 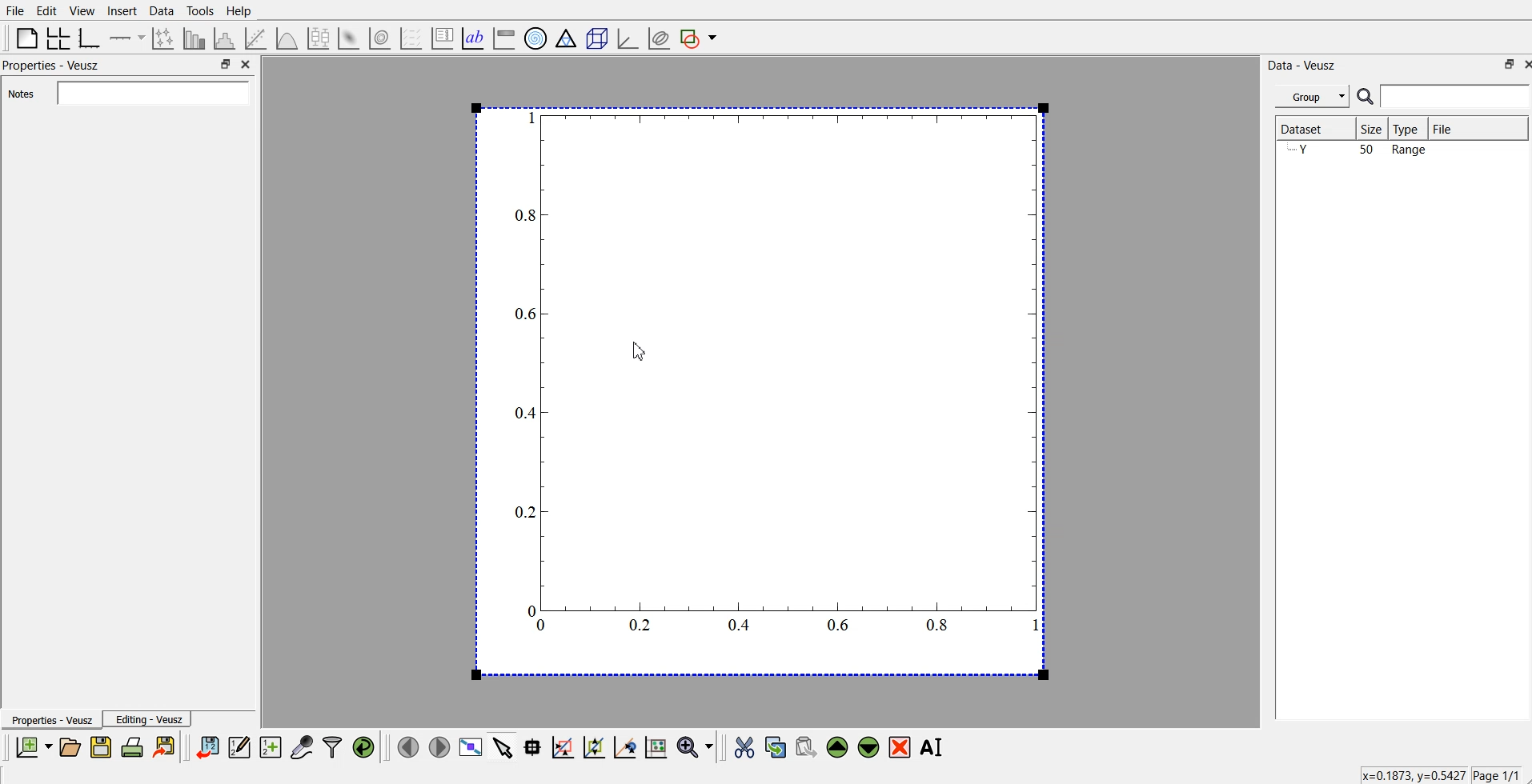 I want to click on Edit, so click(x=46, y=10).